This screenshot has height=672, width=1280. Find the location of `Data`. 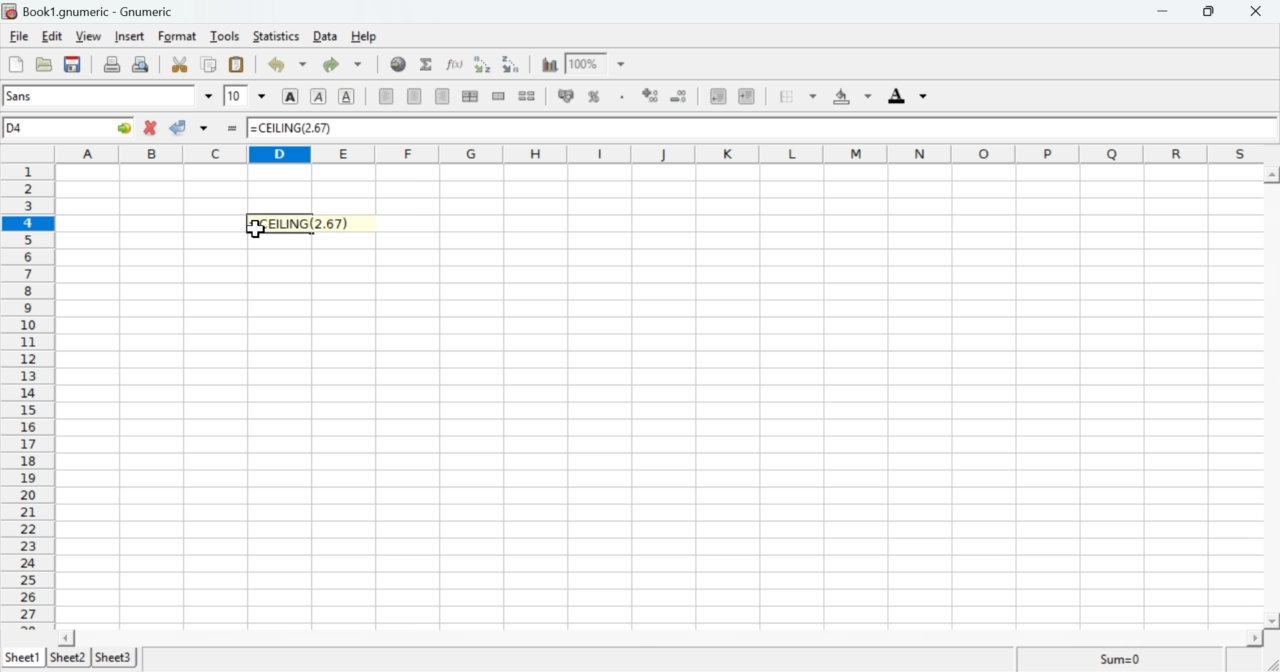

Data is located at coordinates (327, 37).